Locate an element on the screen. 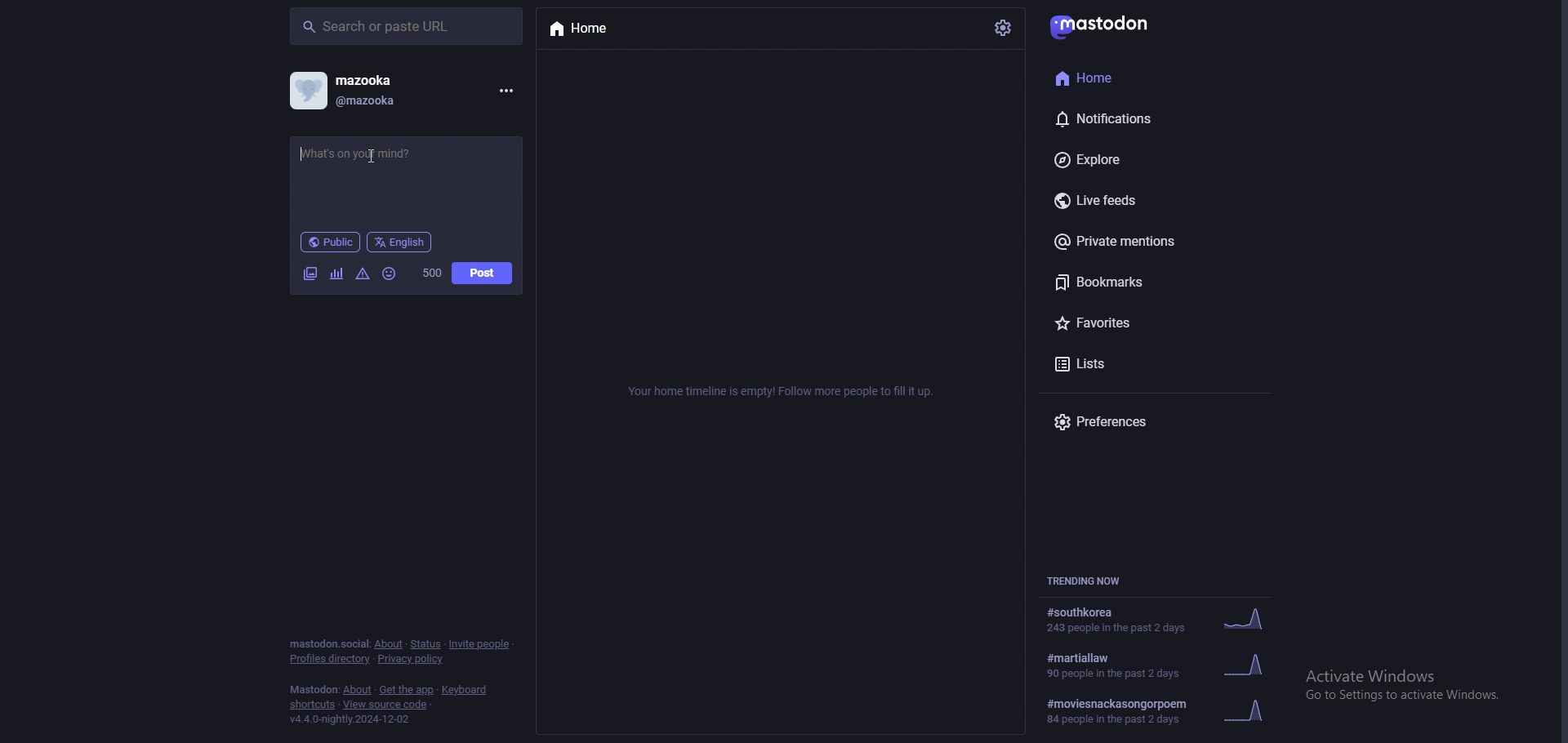 The width and height of the screenshot is (1568, 743). status input is located at coordinates (369, 153).